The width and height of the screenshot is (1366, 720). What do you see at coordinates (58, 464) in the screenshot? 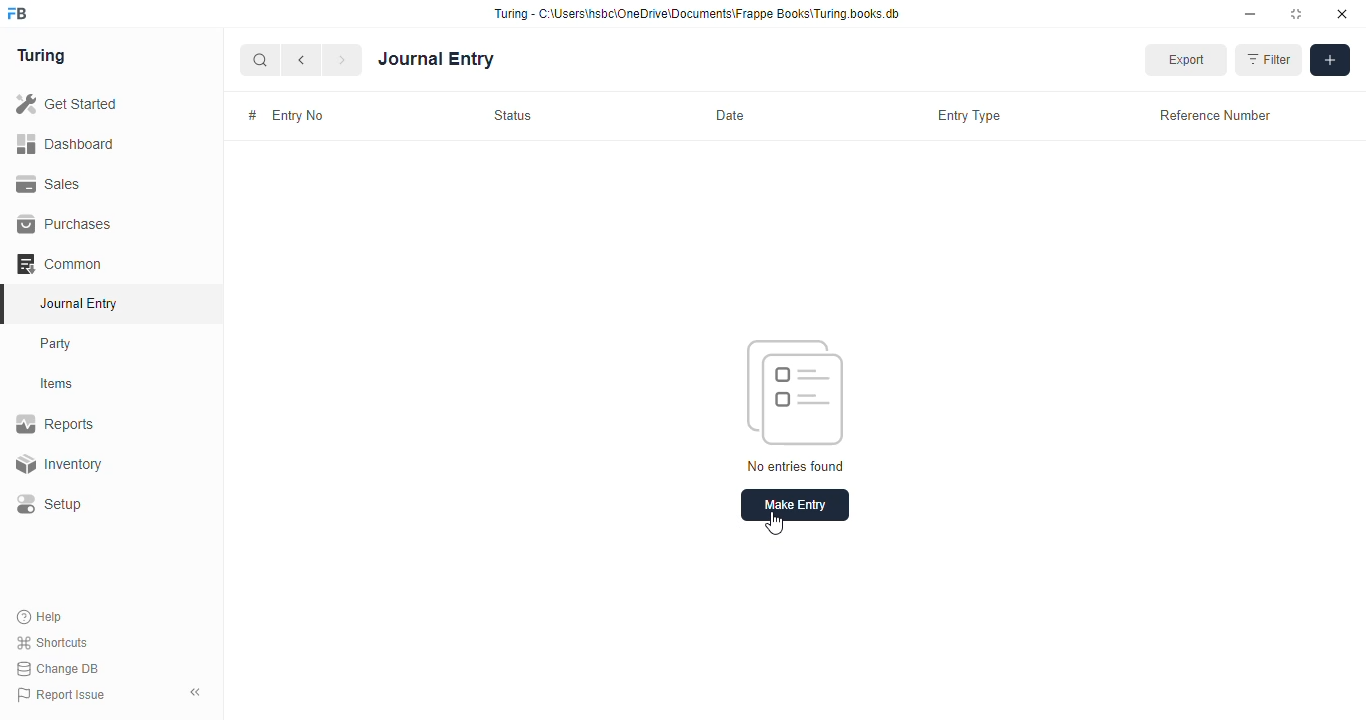
I see `inventory` at bounding box center [58, 464].